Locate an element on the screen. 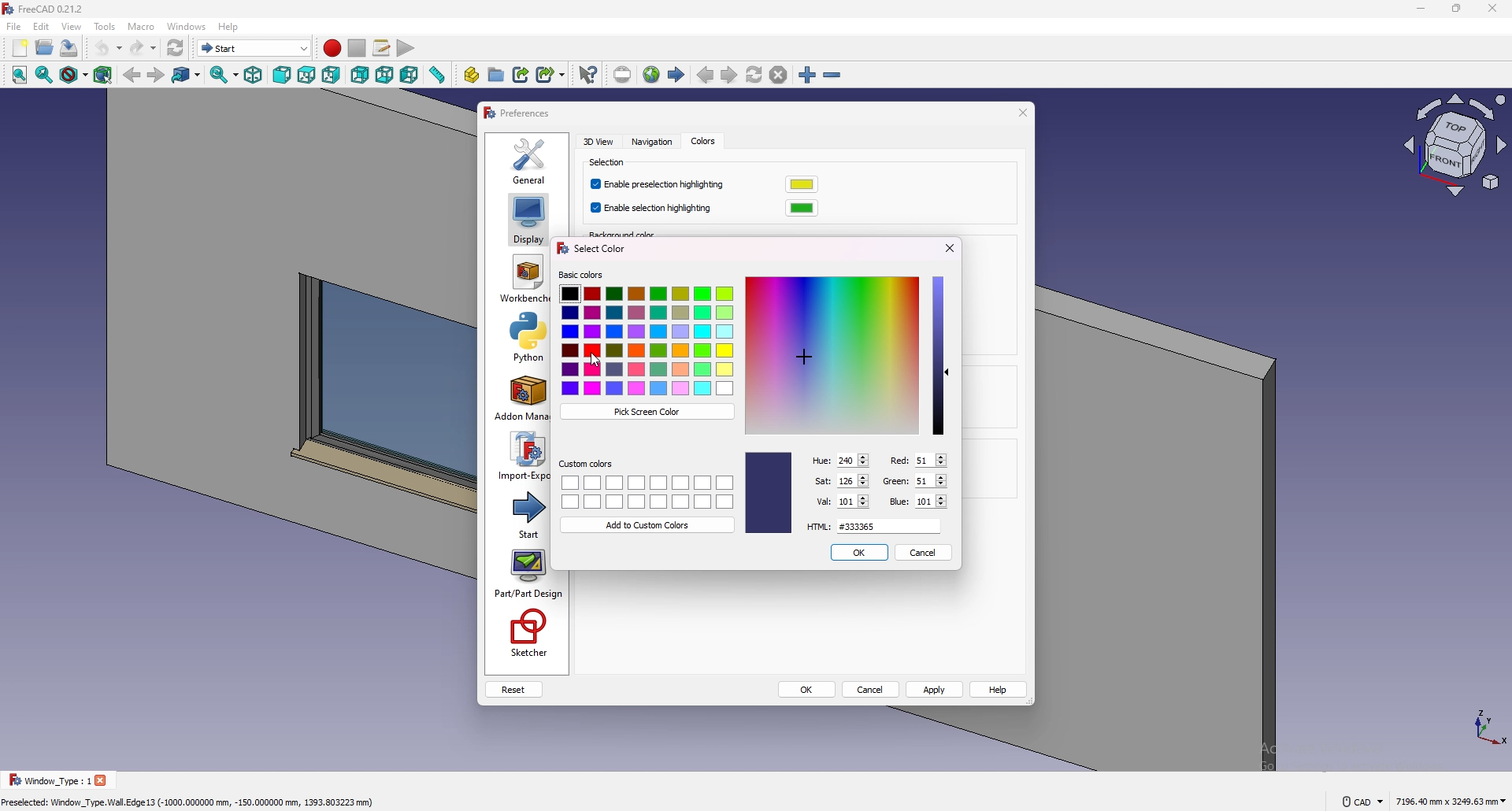 The image size is (1512, 811). execute macro is located at coordinates (405, 50).